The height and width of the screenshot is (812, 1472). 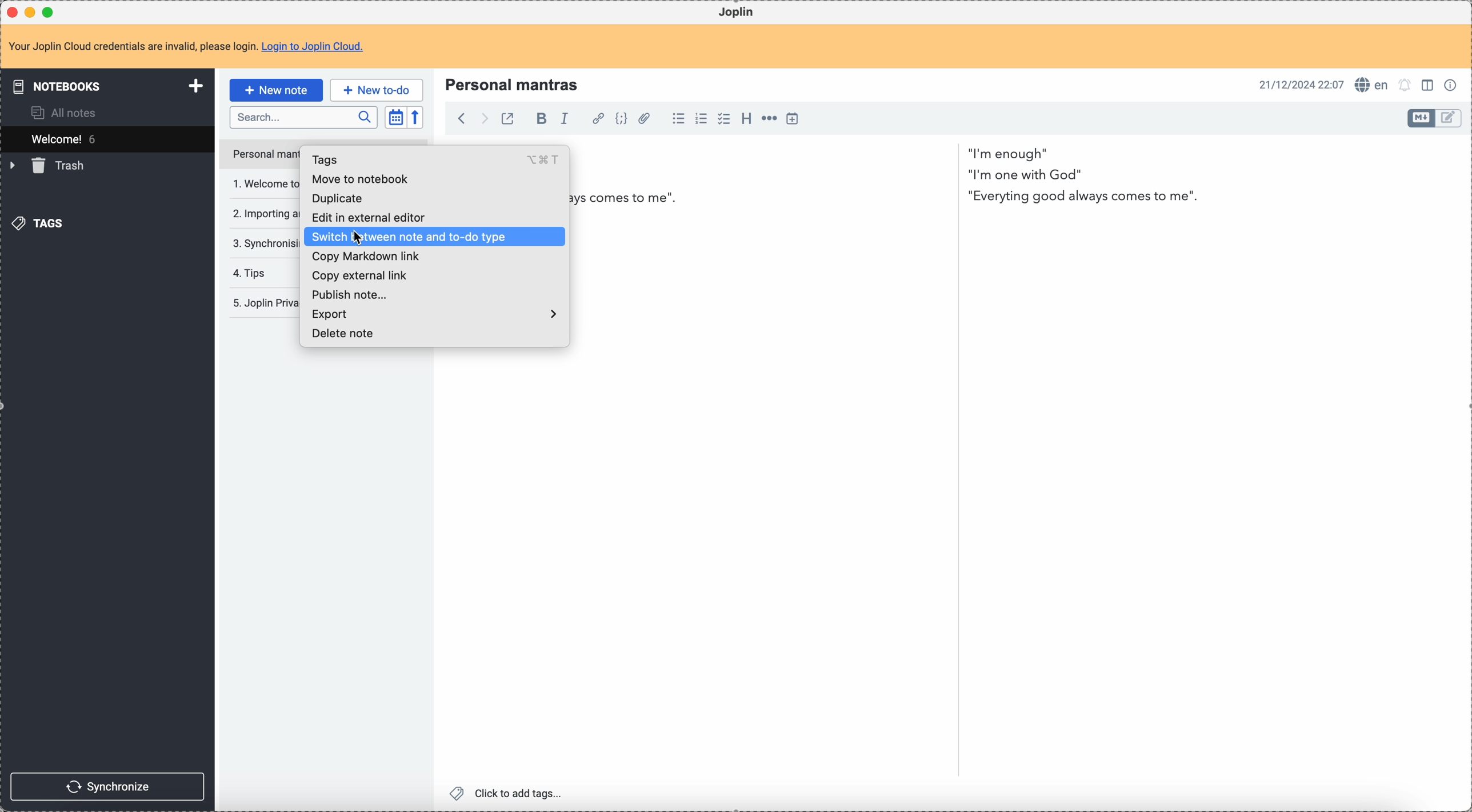 I want to click on tips, so click(x=257, y=274).